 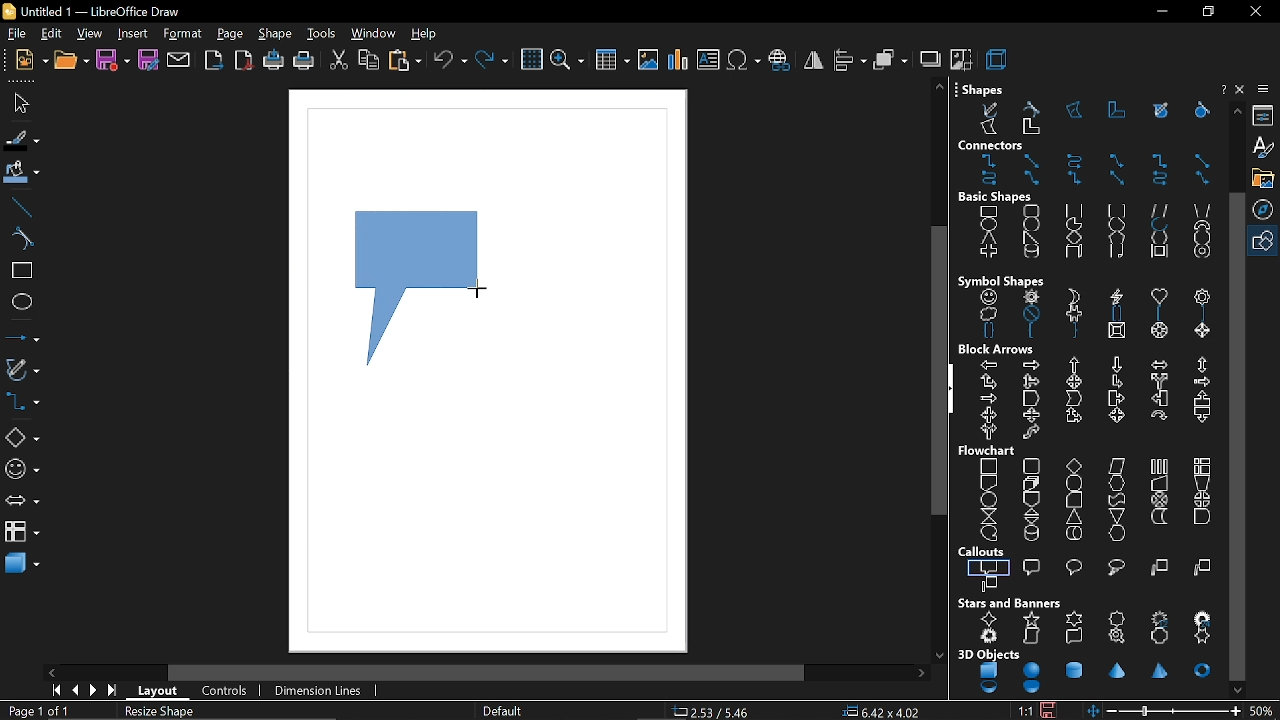 I want to click on polygon, so click(x=1076, y=111).